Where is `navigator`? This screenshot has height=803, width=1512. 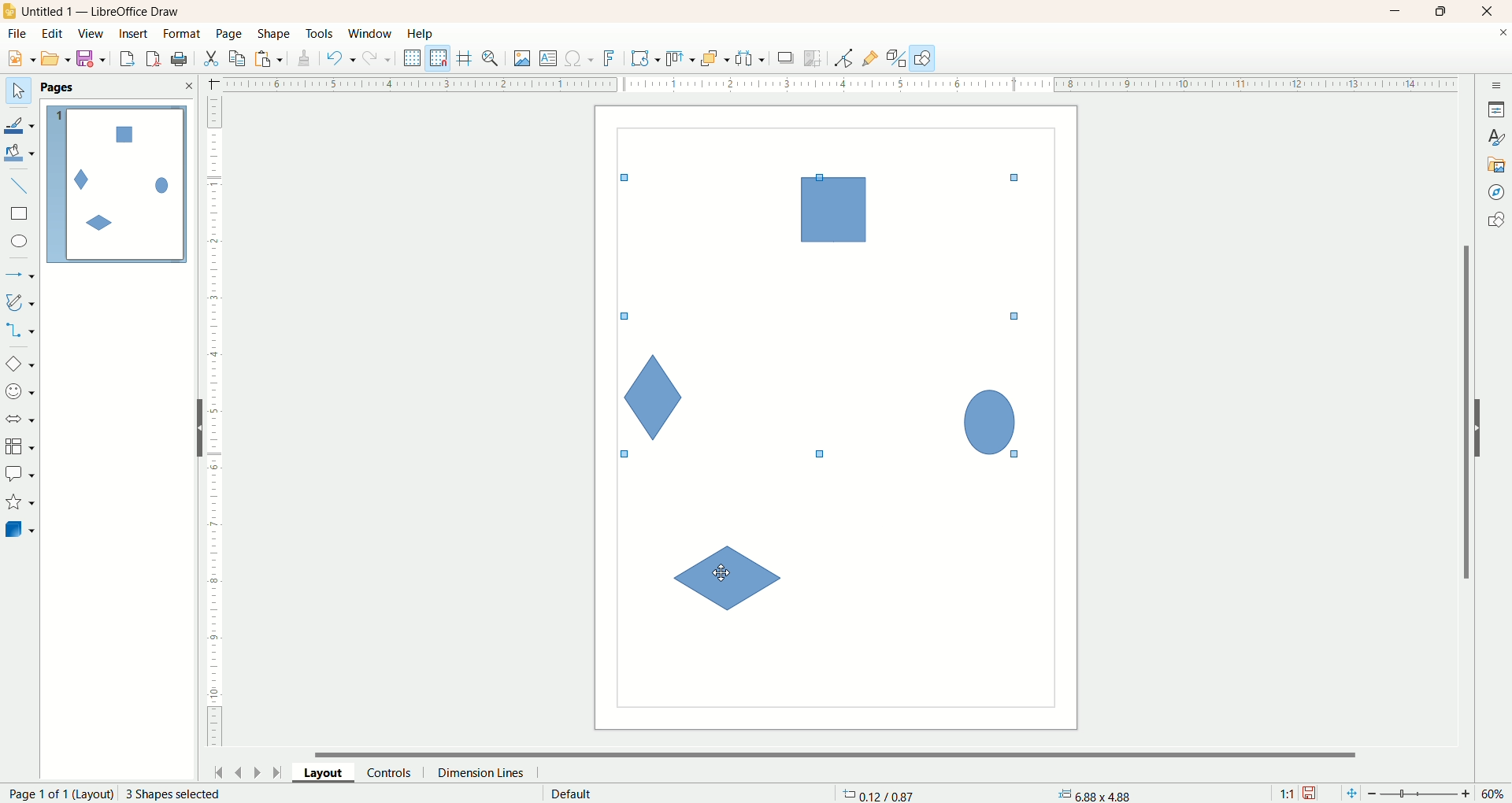
navigator is located at coordinates (1497, 193).